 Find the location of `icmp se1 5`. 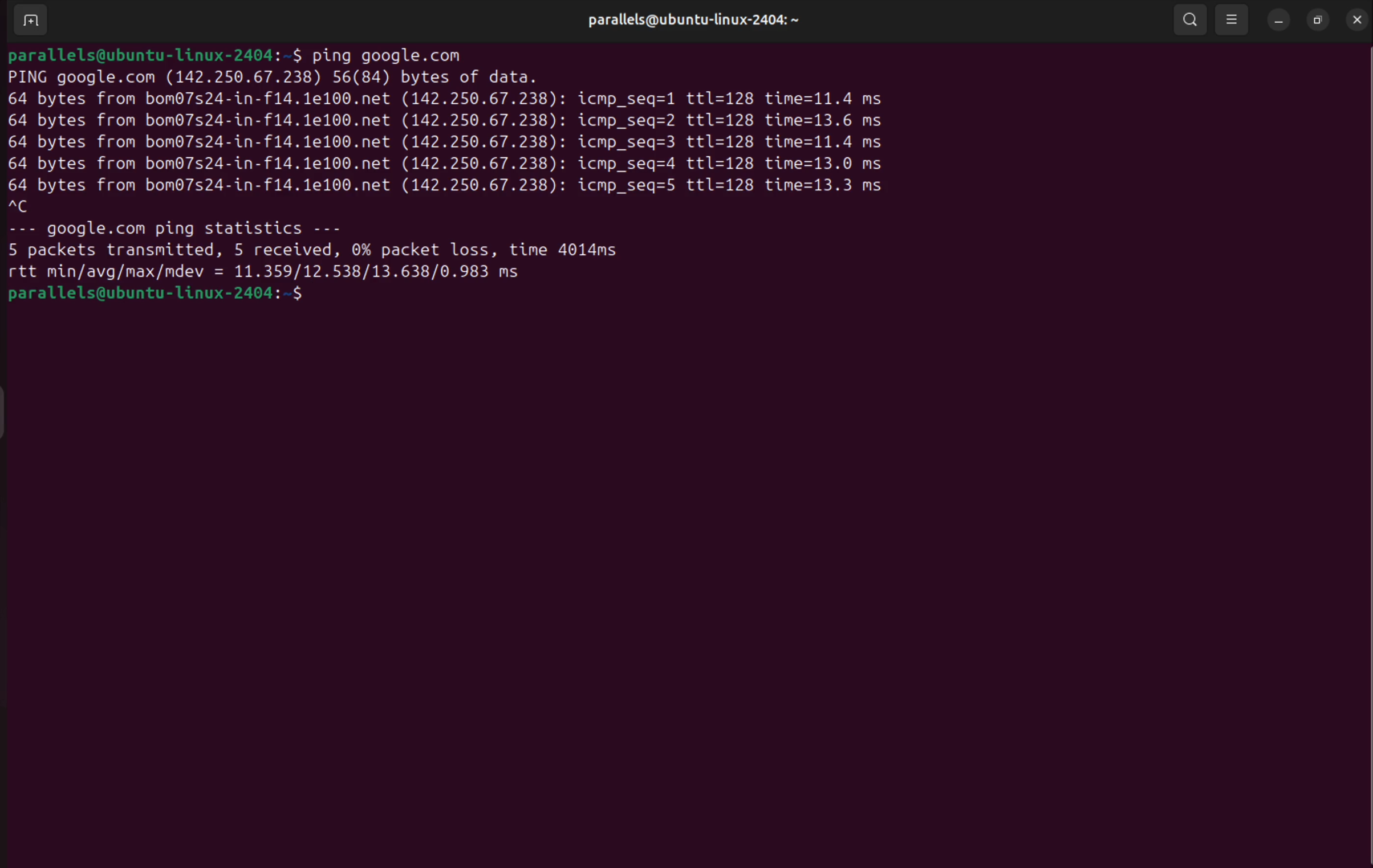

icmp se1 5 is located at coordinates (630, 188).